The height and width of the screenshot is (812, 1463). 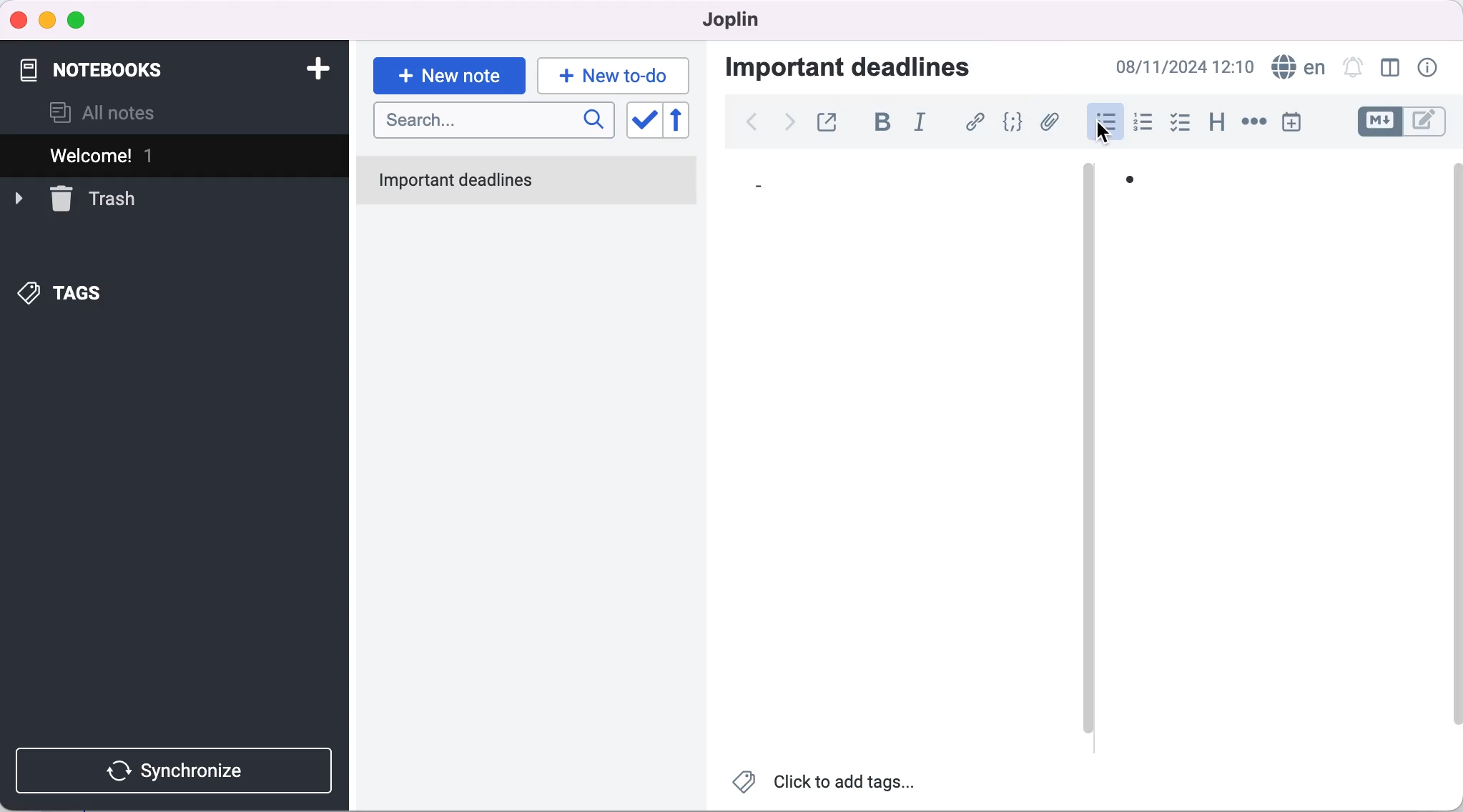 What do you see at coordinates (529, 182) in the screenshot?
I see `important deadlines note` at bounding box center [529, 182].